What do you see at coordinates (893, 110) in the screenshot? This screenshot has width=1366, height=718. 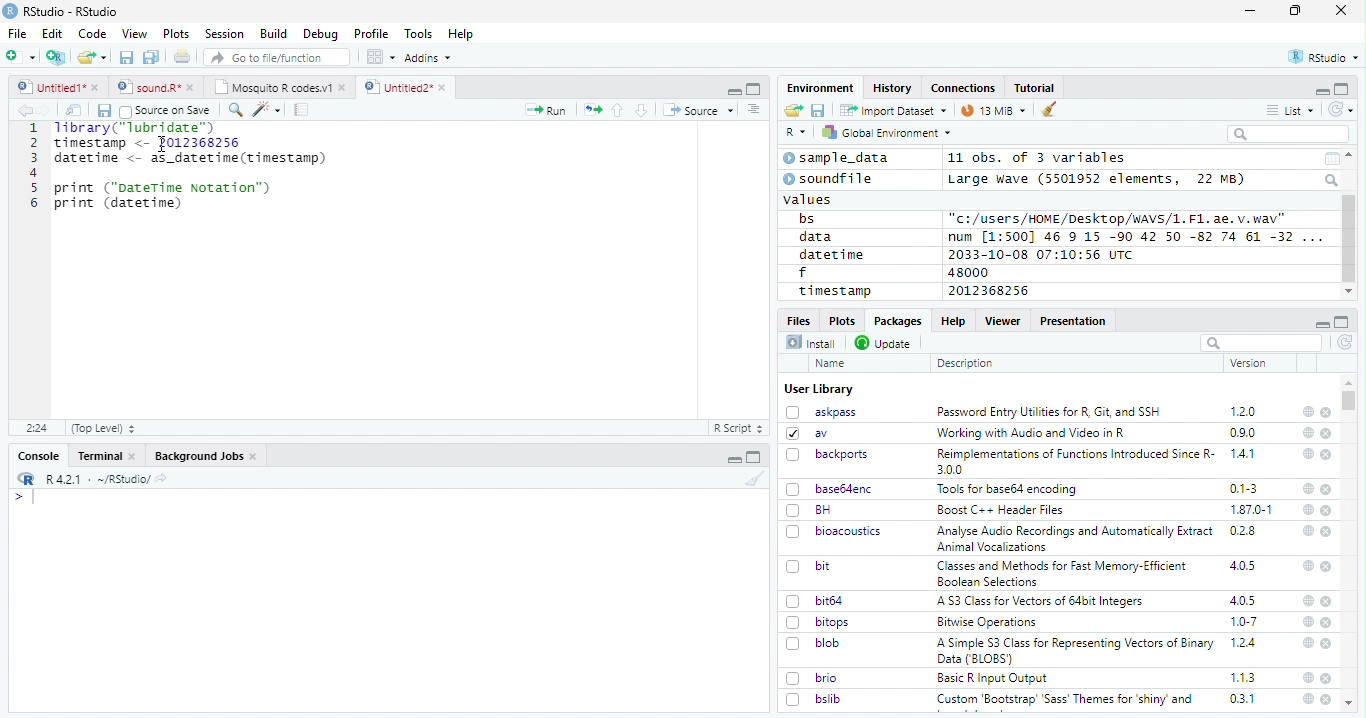 I see `Import Dataset` at bounding box center [893, 110].